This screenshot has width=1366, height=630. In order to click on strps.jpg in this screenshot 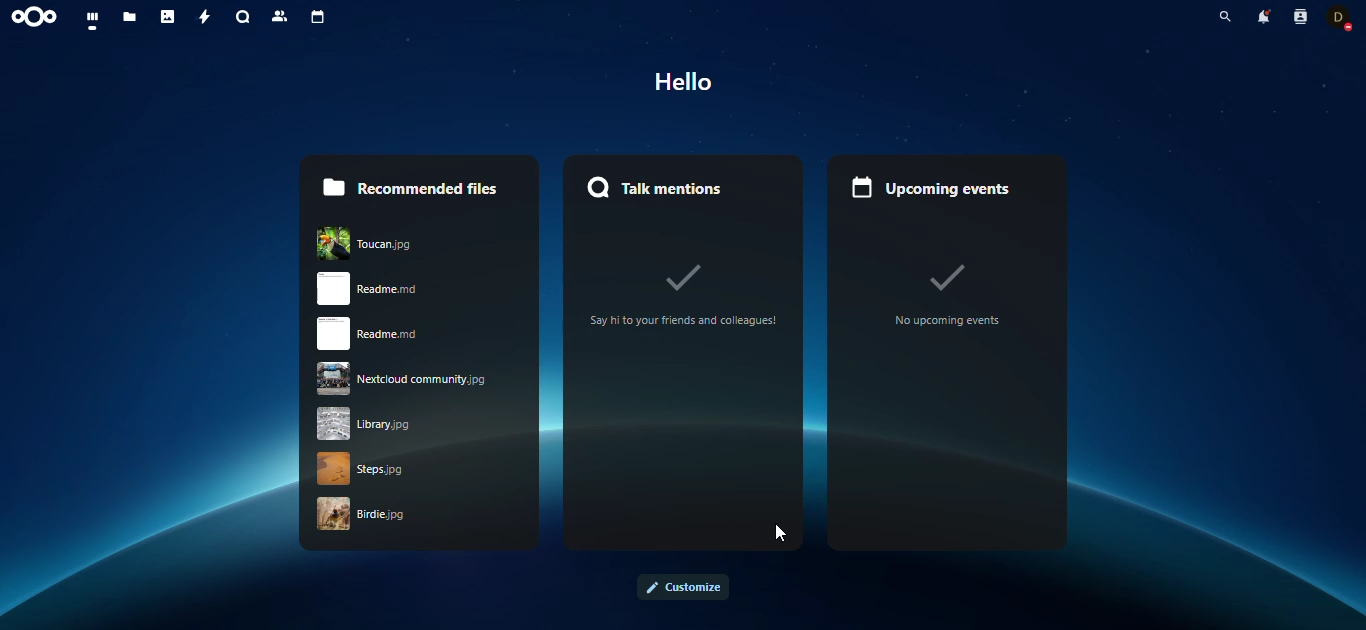, I will do `click(409, 469)`.